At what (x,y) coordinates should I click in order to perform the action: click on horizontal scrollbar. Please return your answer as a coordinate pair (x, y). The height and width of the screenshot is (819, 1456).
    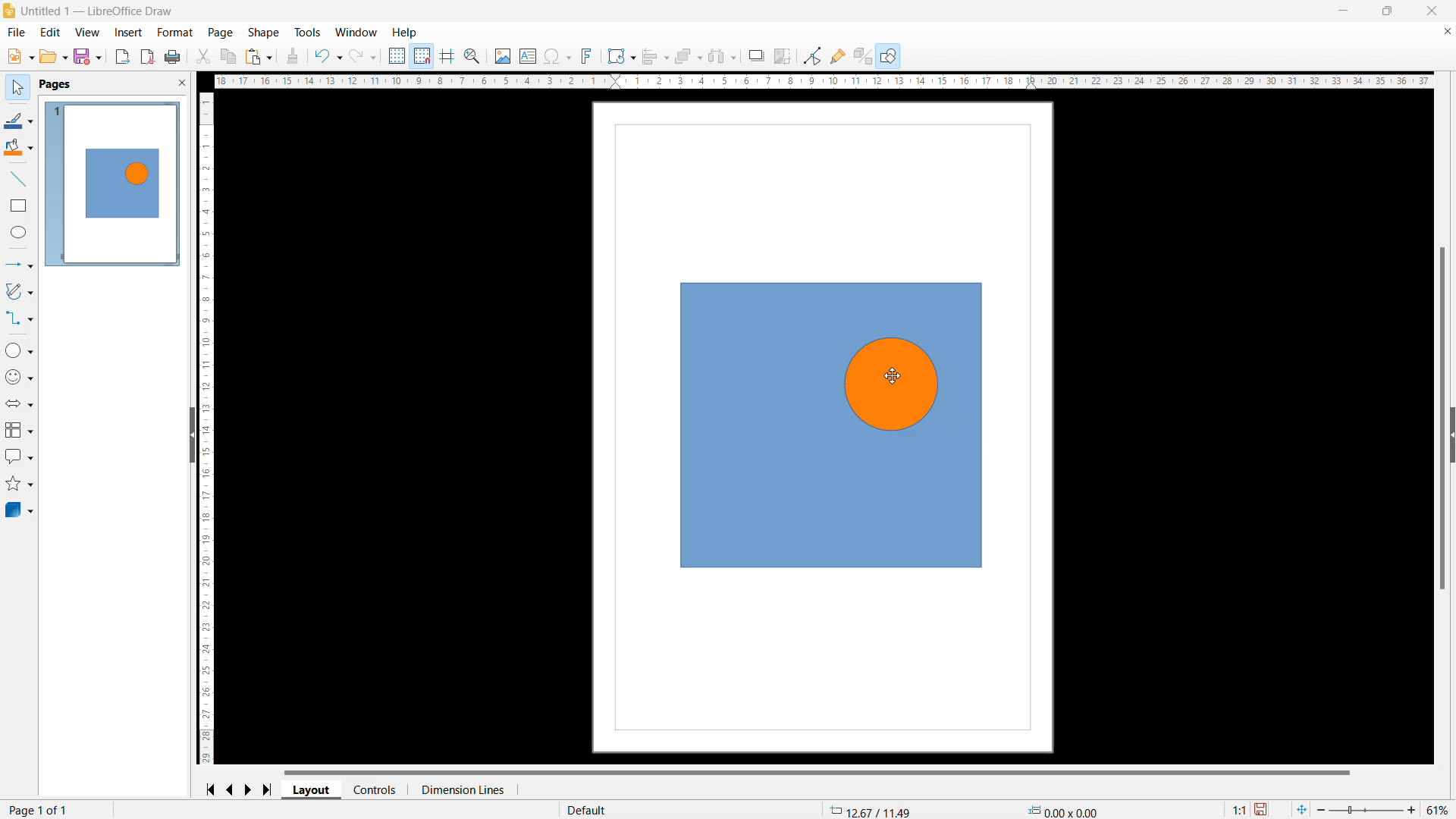
    Looking at the image, I should click on (817, 771).